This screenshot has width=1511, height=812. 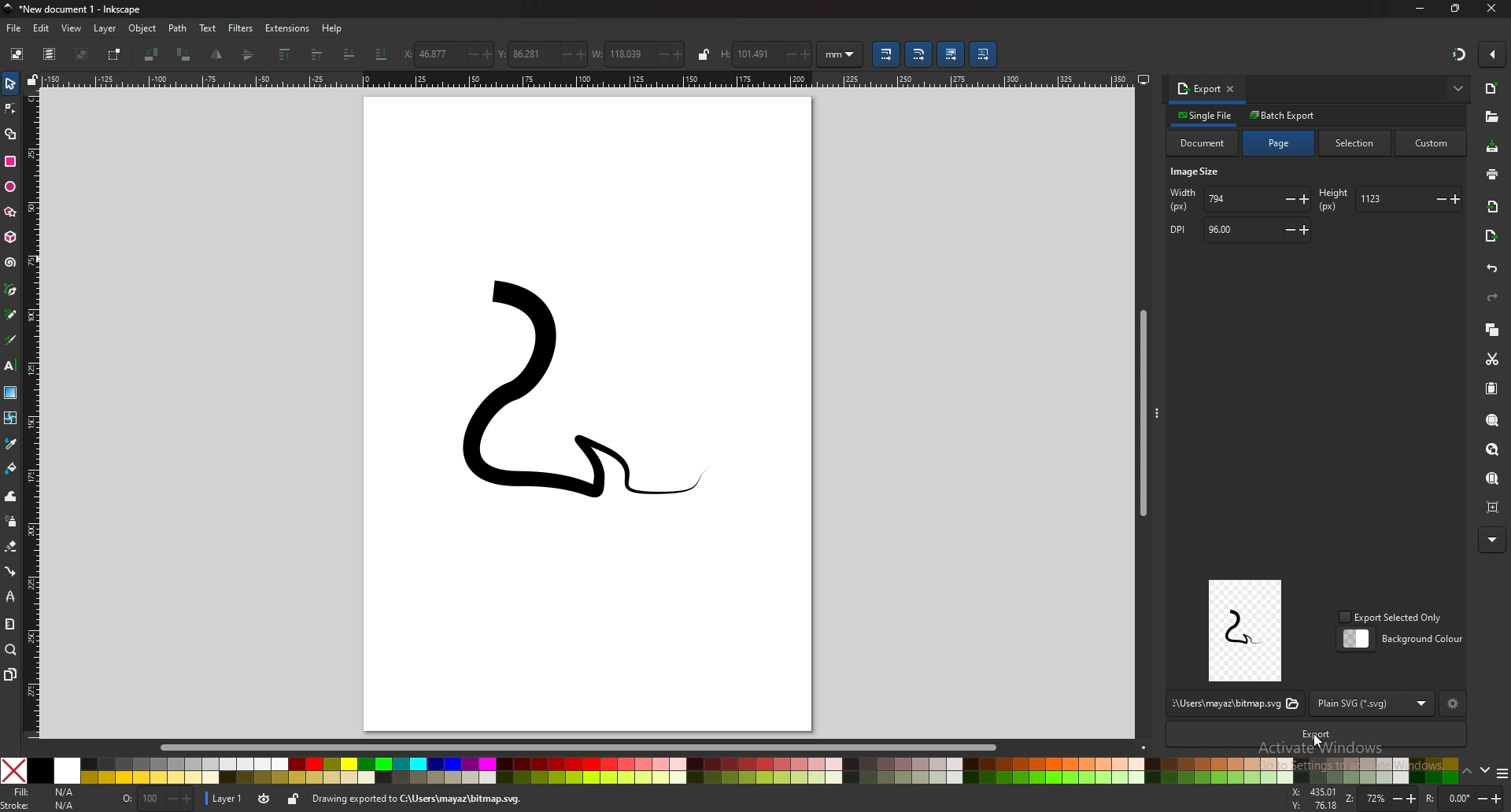 I want to click on lower selection one step, so click(x=350, y=53).